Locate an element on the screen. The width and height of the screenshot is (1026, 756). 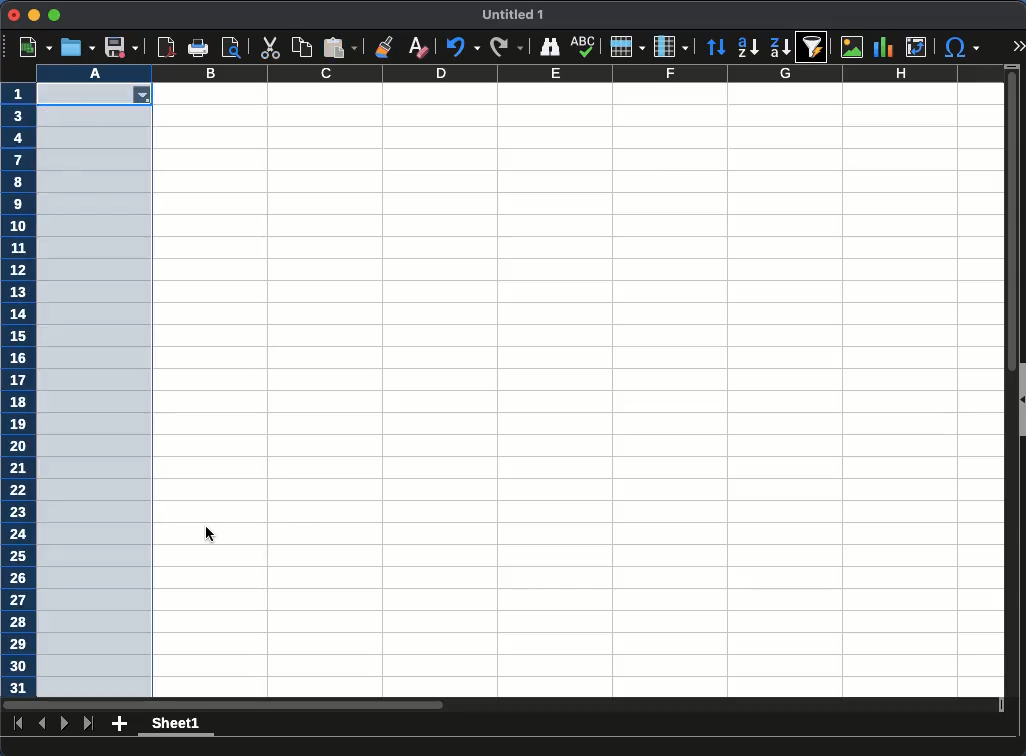
descending is located at coordinates (781, 48).